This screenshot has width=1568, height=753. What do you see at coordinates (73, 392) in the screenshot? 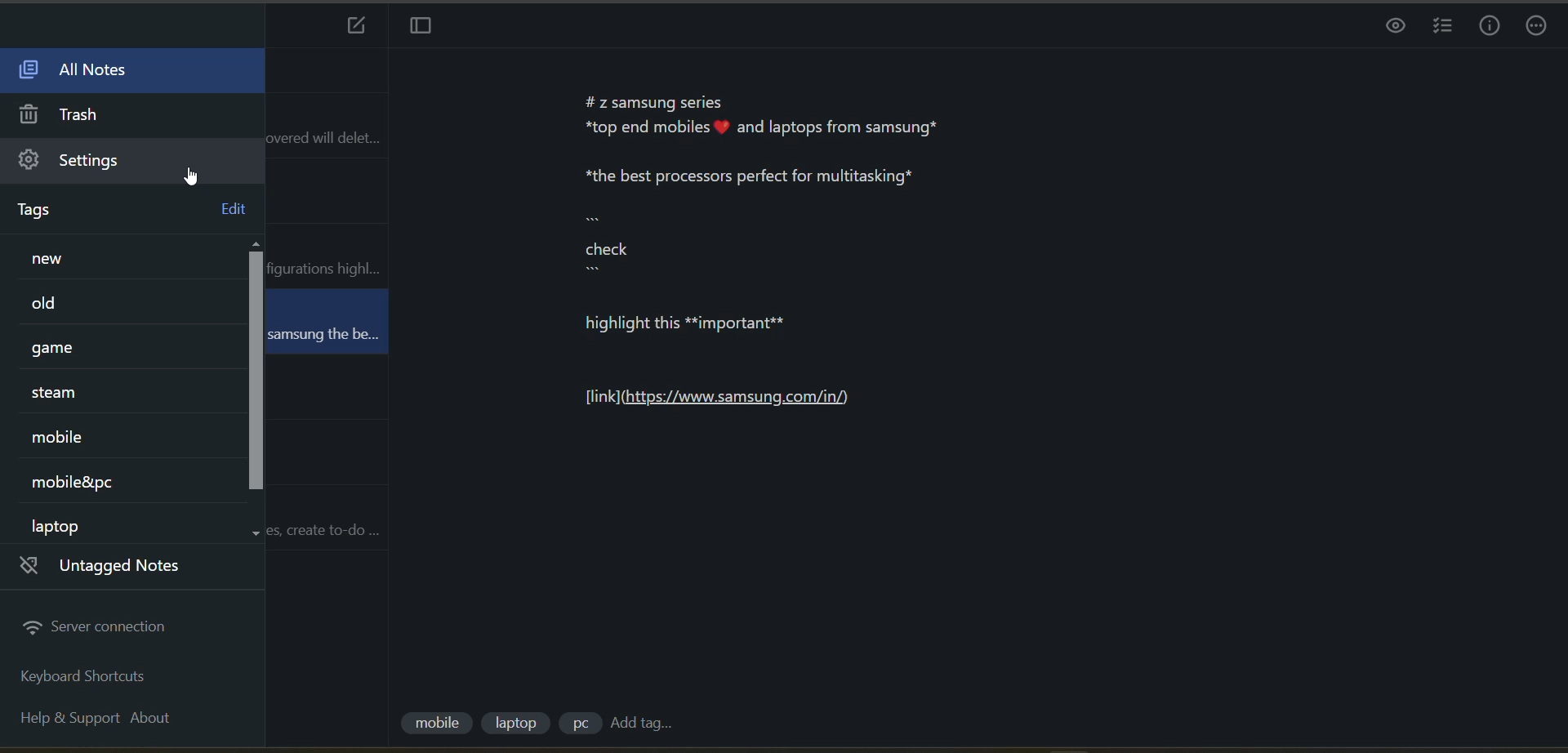
I see `tag 4` at bounding box center [73, 392].